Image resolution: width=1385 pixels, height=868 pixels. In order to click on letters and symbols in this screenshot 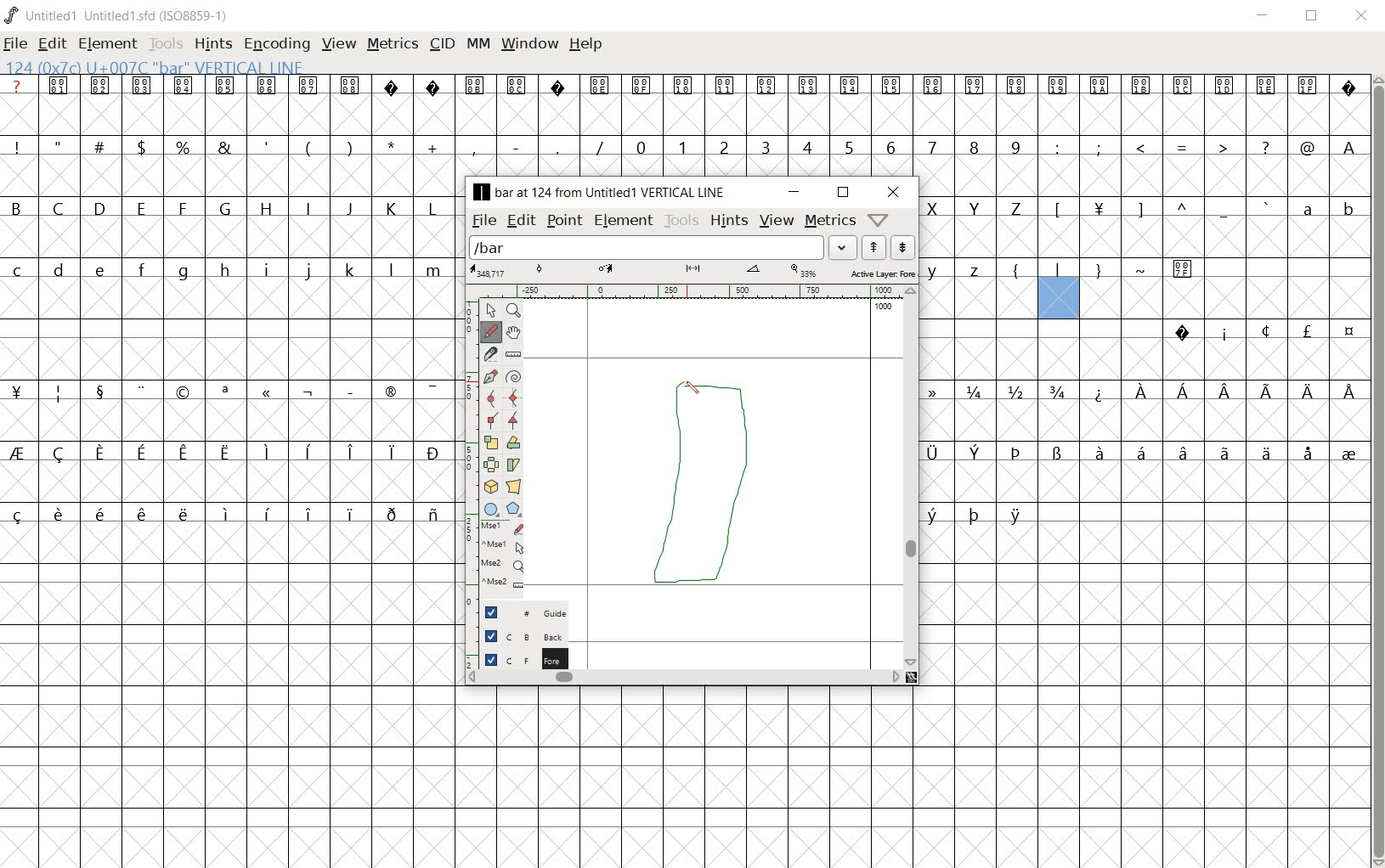, I will do `click(1144, 206)`.